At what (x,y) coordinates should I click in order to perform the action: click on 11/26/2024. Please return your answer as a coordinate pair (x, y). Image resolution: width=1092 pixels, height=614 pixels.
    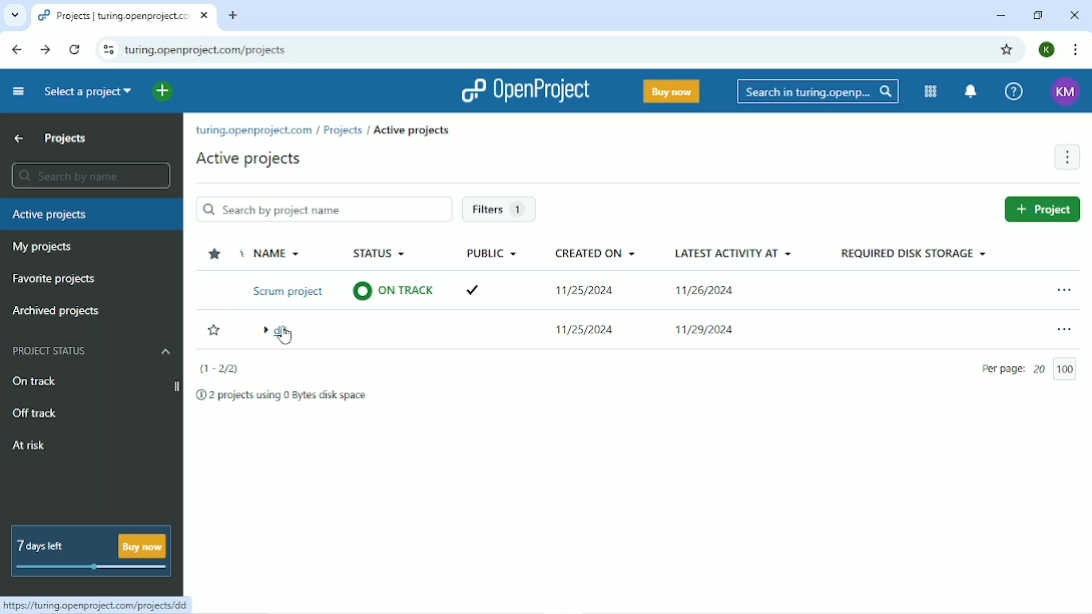
    Looking at the image, I should click on (708, 292).